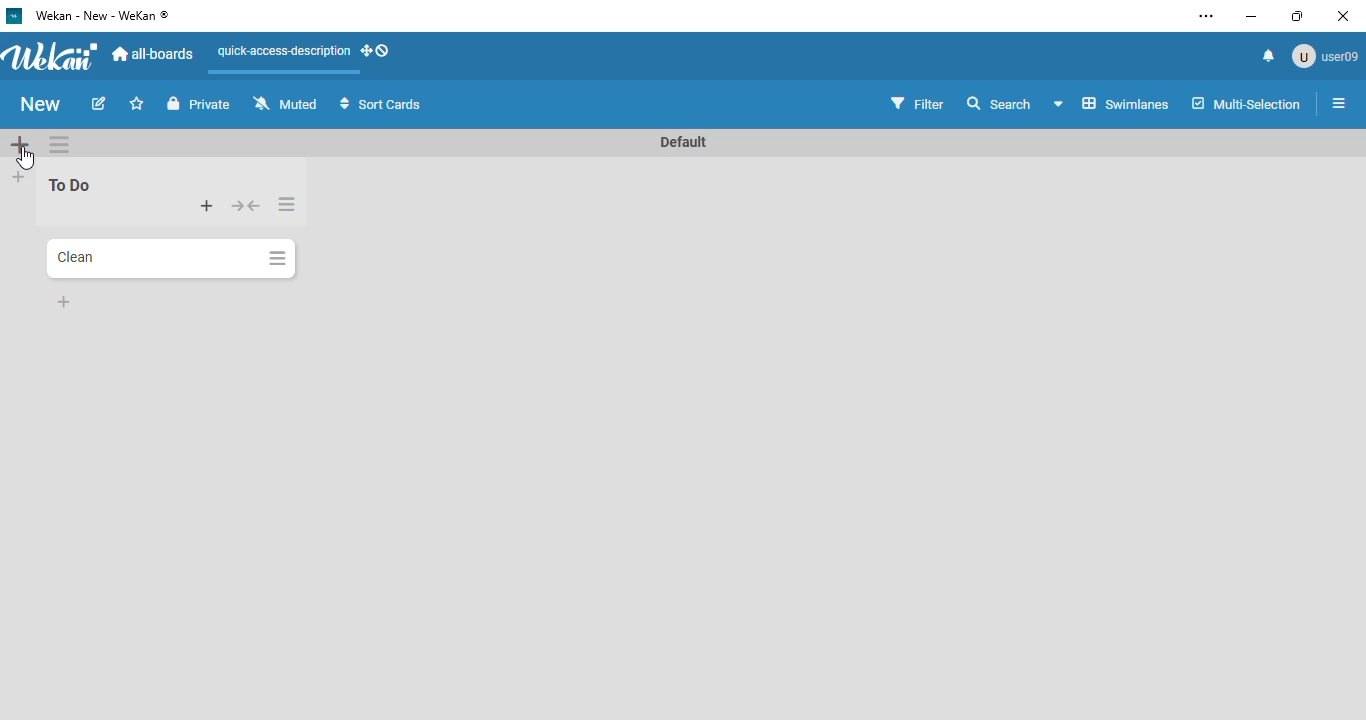  Describe the element at coordinates (244, 206) in the screenshot. I see `collapse` at that location.